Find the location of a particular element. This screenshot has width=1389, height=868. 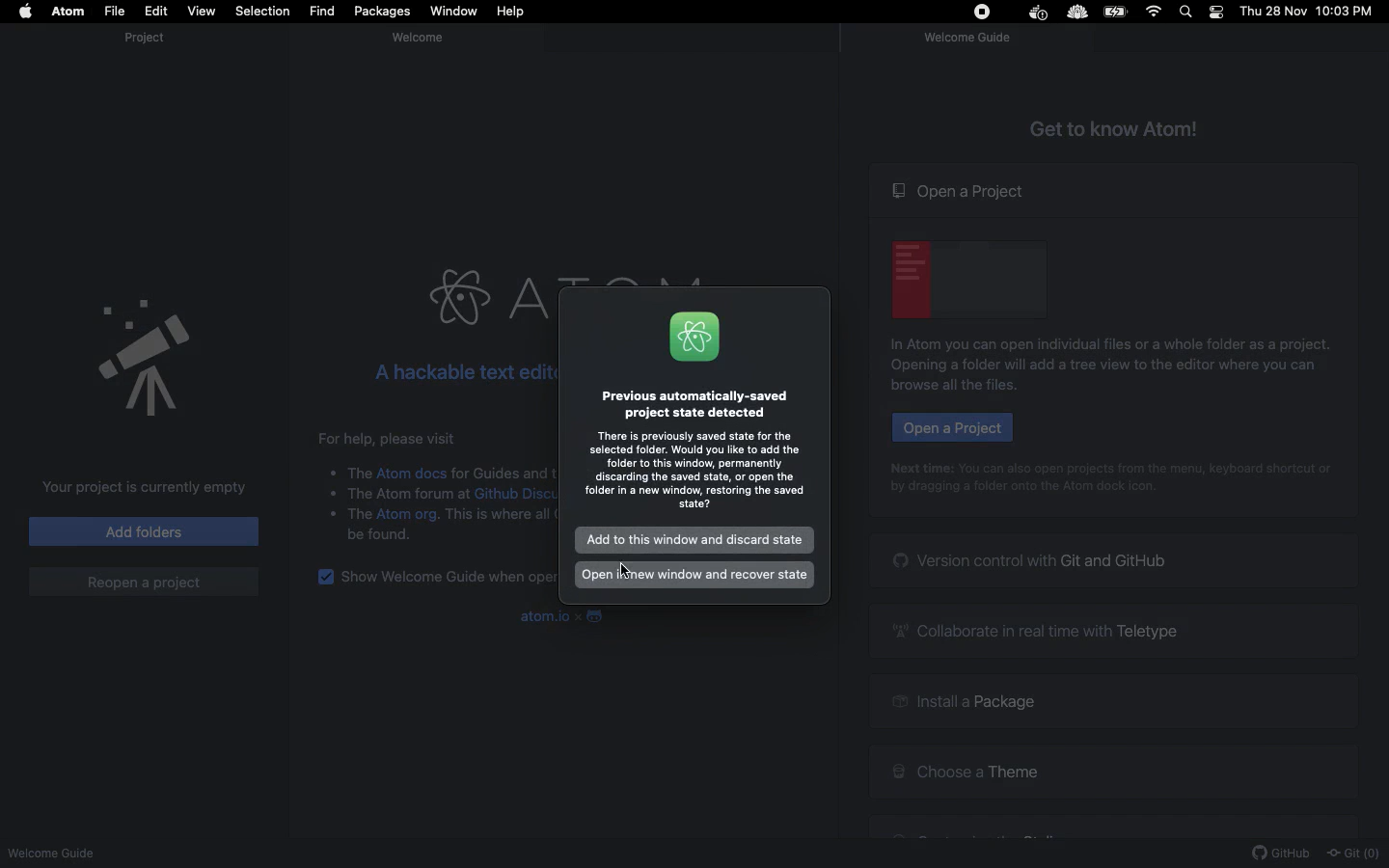

Atom org is located at coordinates (408, 515).